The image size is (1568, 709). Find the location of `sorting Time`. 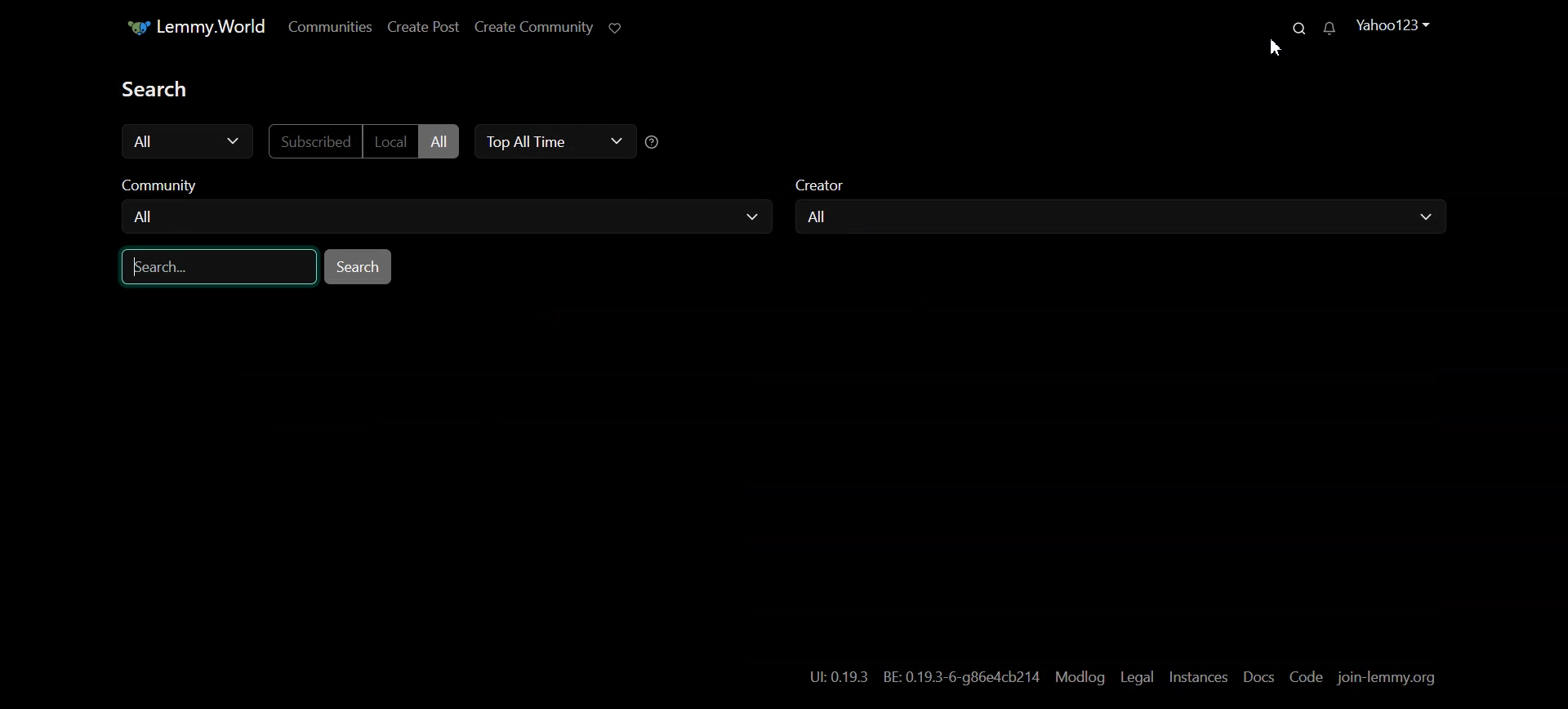

sorting Time is located at coordinates (655, 143).